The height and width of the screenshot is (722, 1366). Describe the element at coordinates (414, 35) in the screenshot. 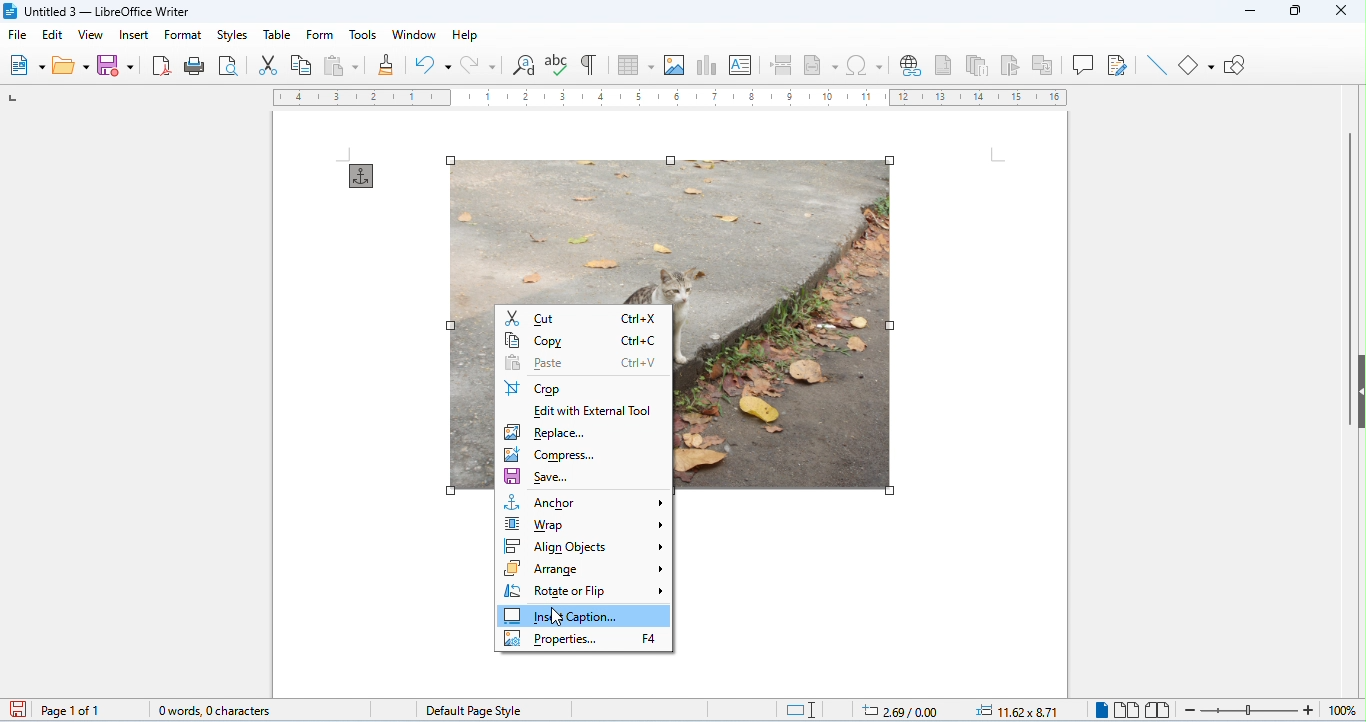

I see `window` at that location.